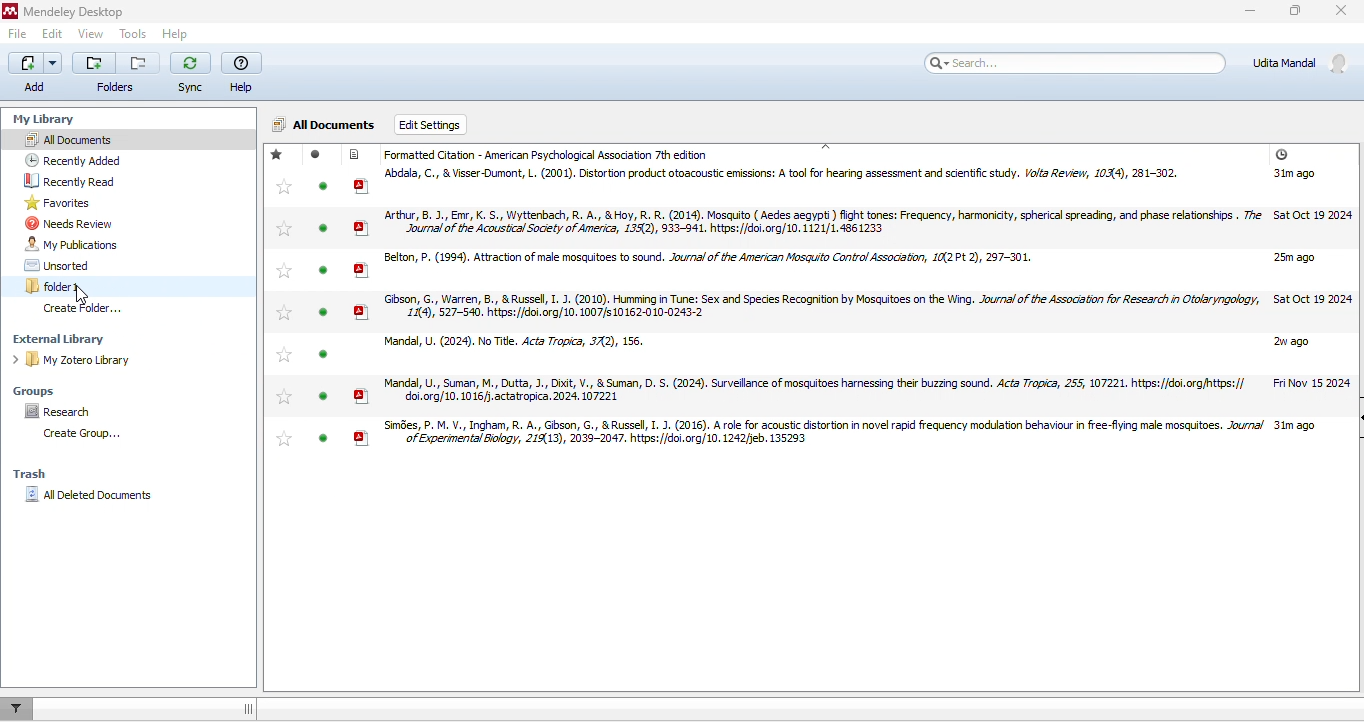 This screenshot has height=722, width=1364. Describe the element at coordinates (91, 34) in the screenshot. I see `view` at that location.